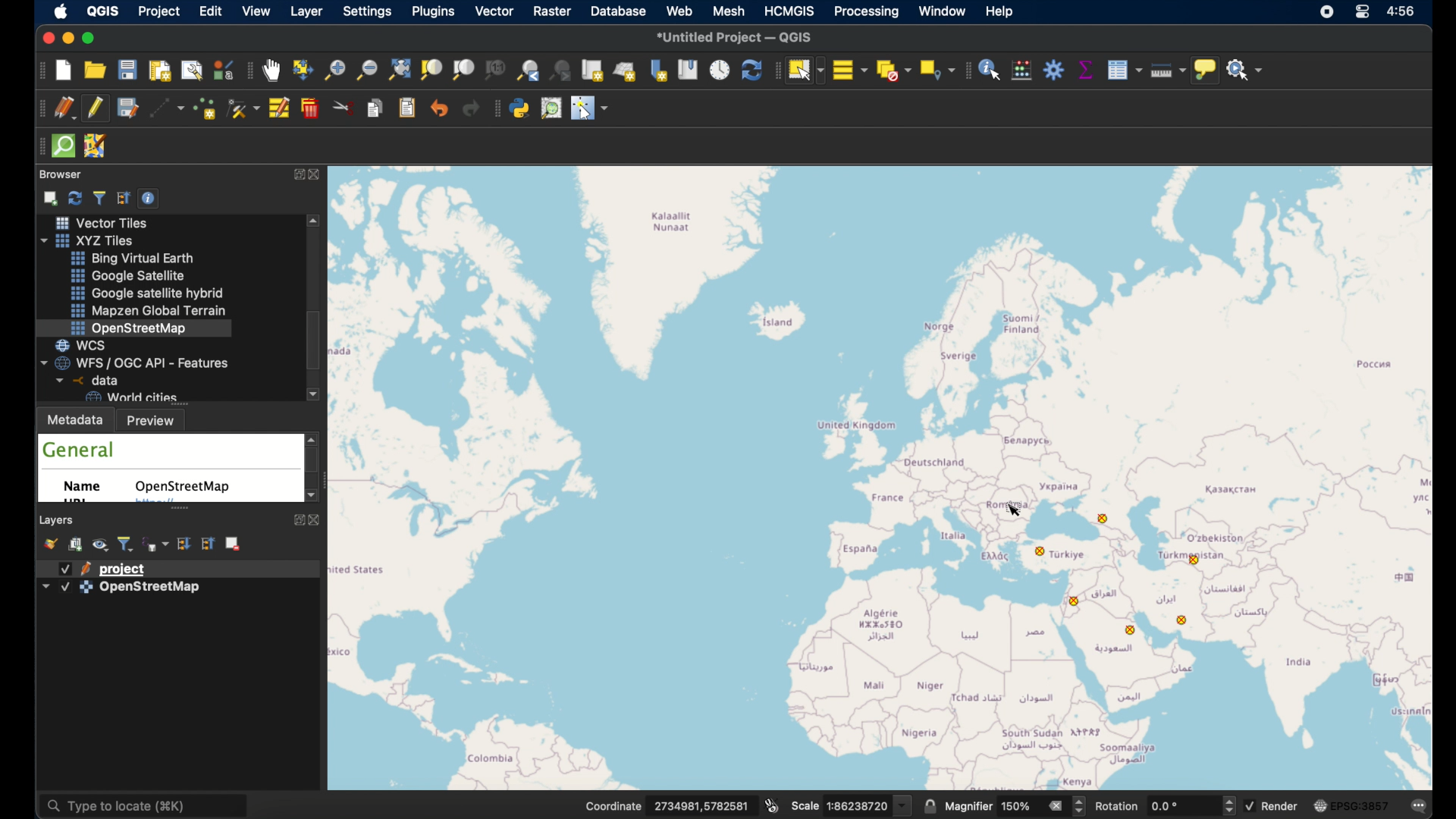  What do you see at coordinates (207, 108) in the screenshot?
I see `add point feature` at bounding box center [207, 108].